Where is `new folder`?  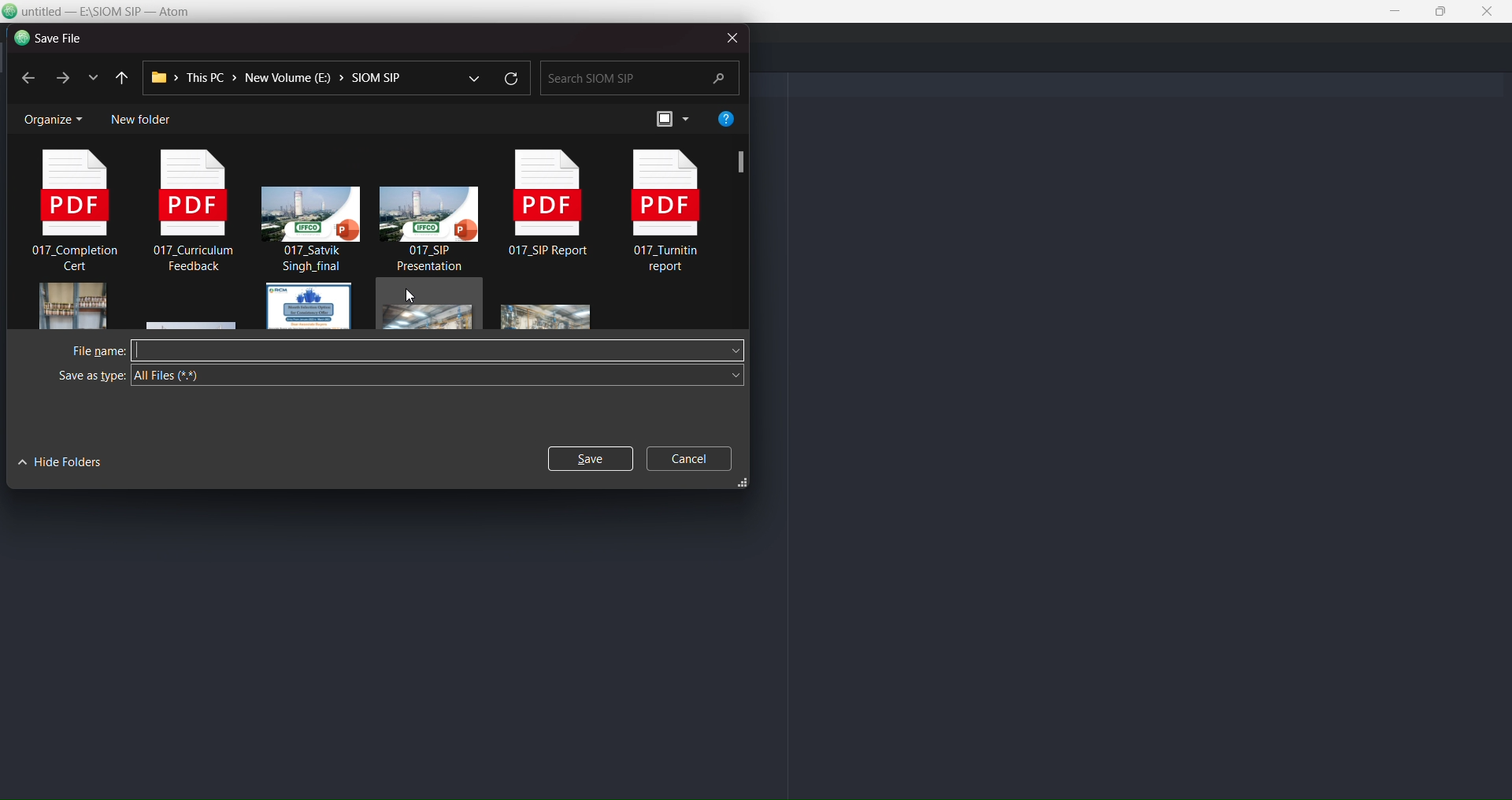
new folder is located at coordinates (139, 117).